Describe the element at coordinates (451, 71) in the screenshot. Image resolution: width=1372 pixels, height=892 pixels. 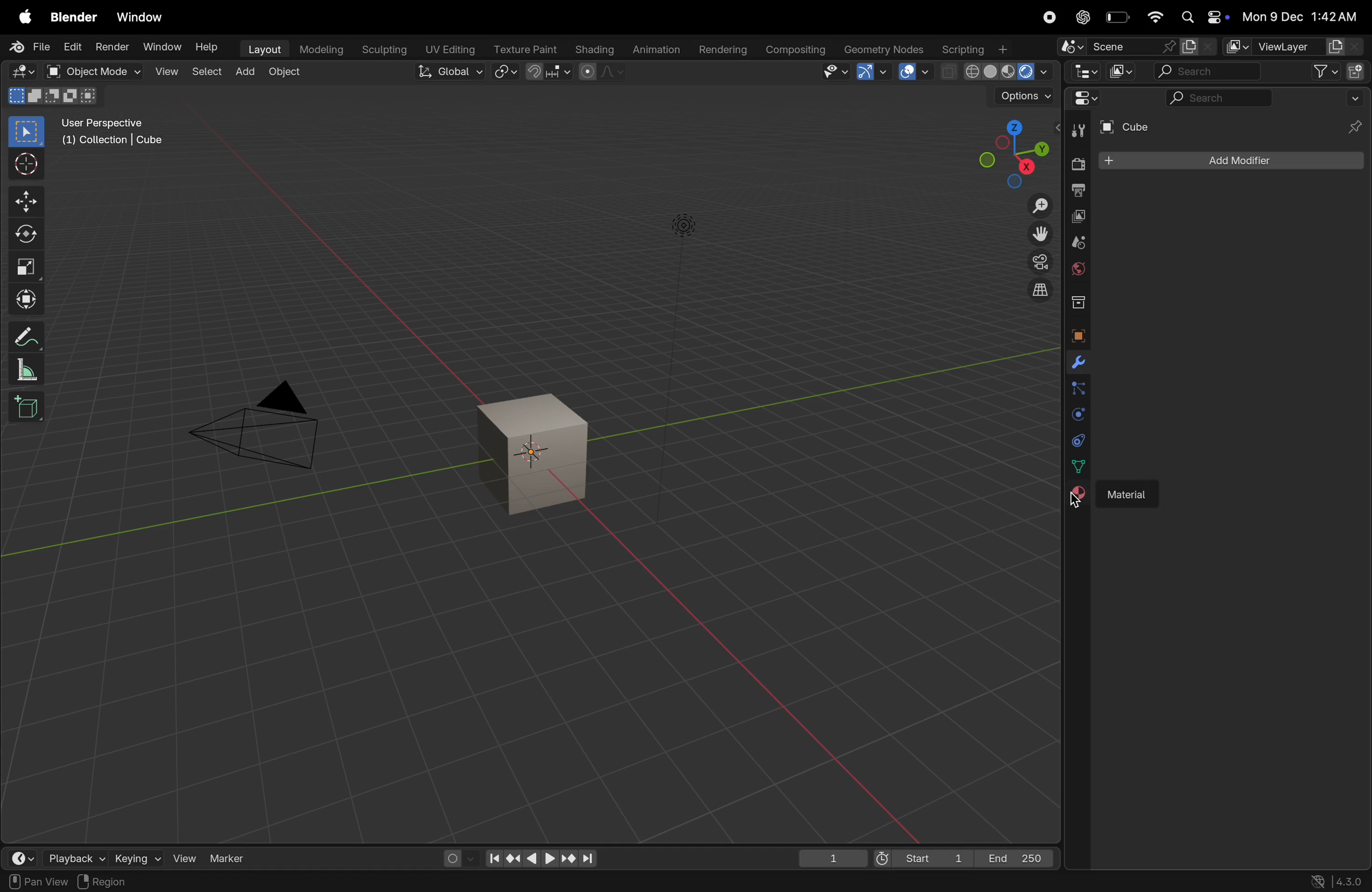
I see `Global` at that location.